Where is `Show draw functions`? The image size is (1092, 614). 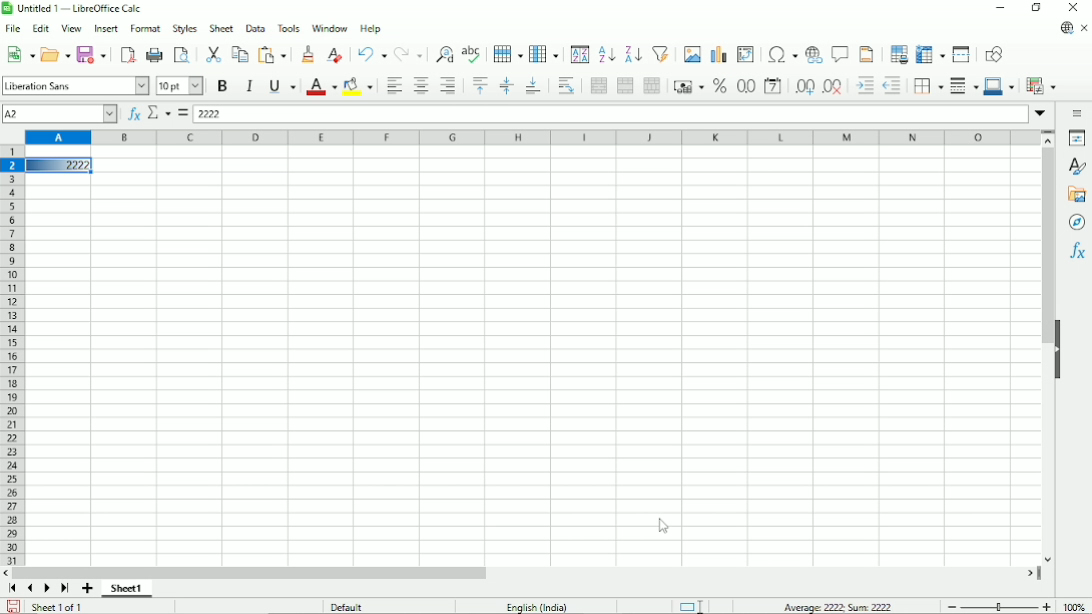 Show draw functions is located at coordinates (994, 54).